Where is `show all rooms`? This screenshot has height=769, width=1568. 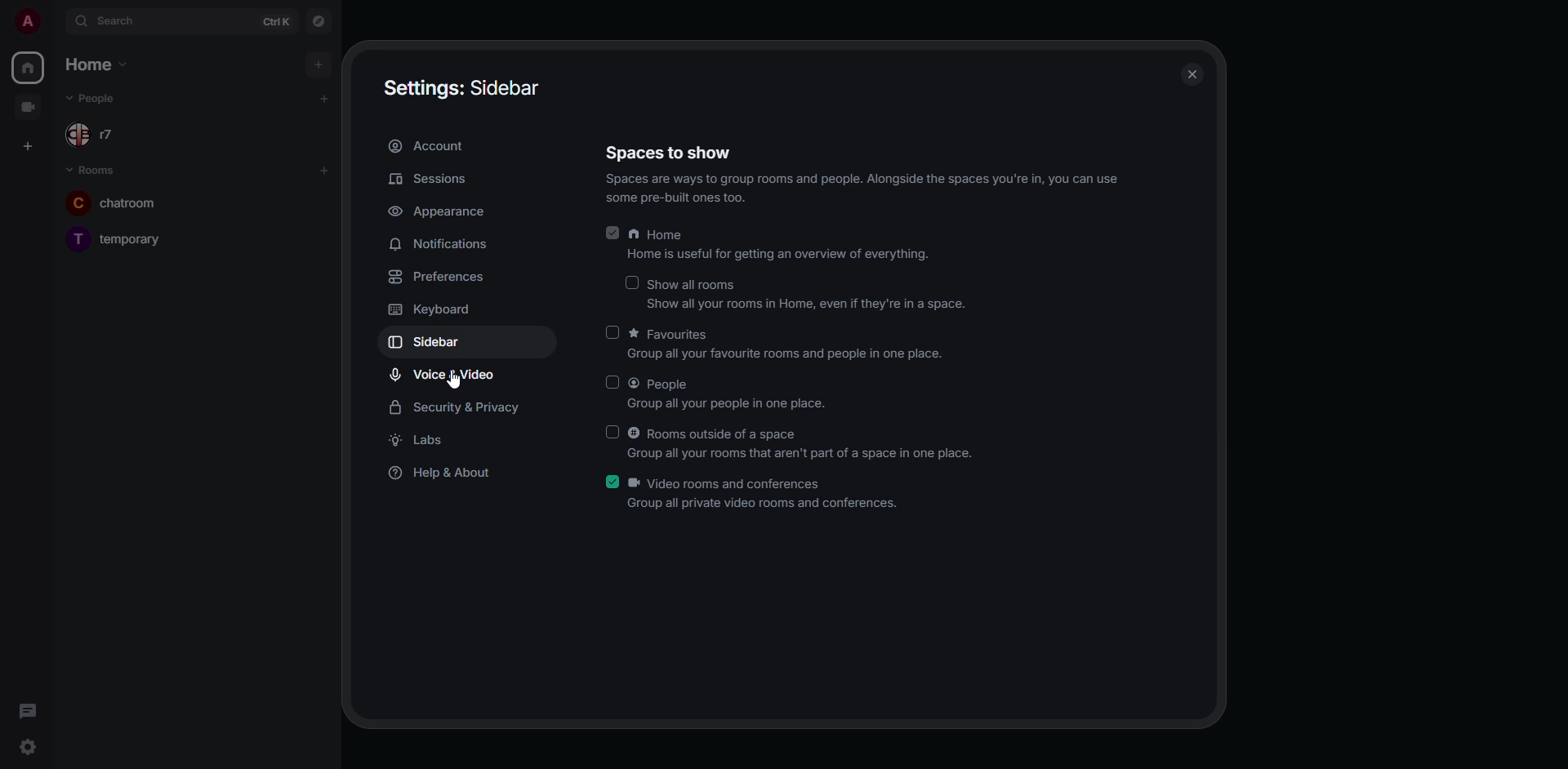
show all rooms is located at coordinates (808, 296).